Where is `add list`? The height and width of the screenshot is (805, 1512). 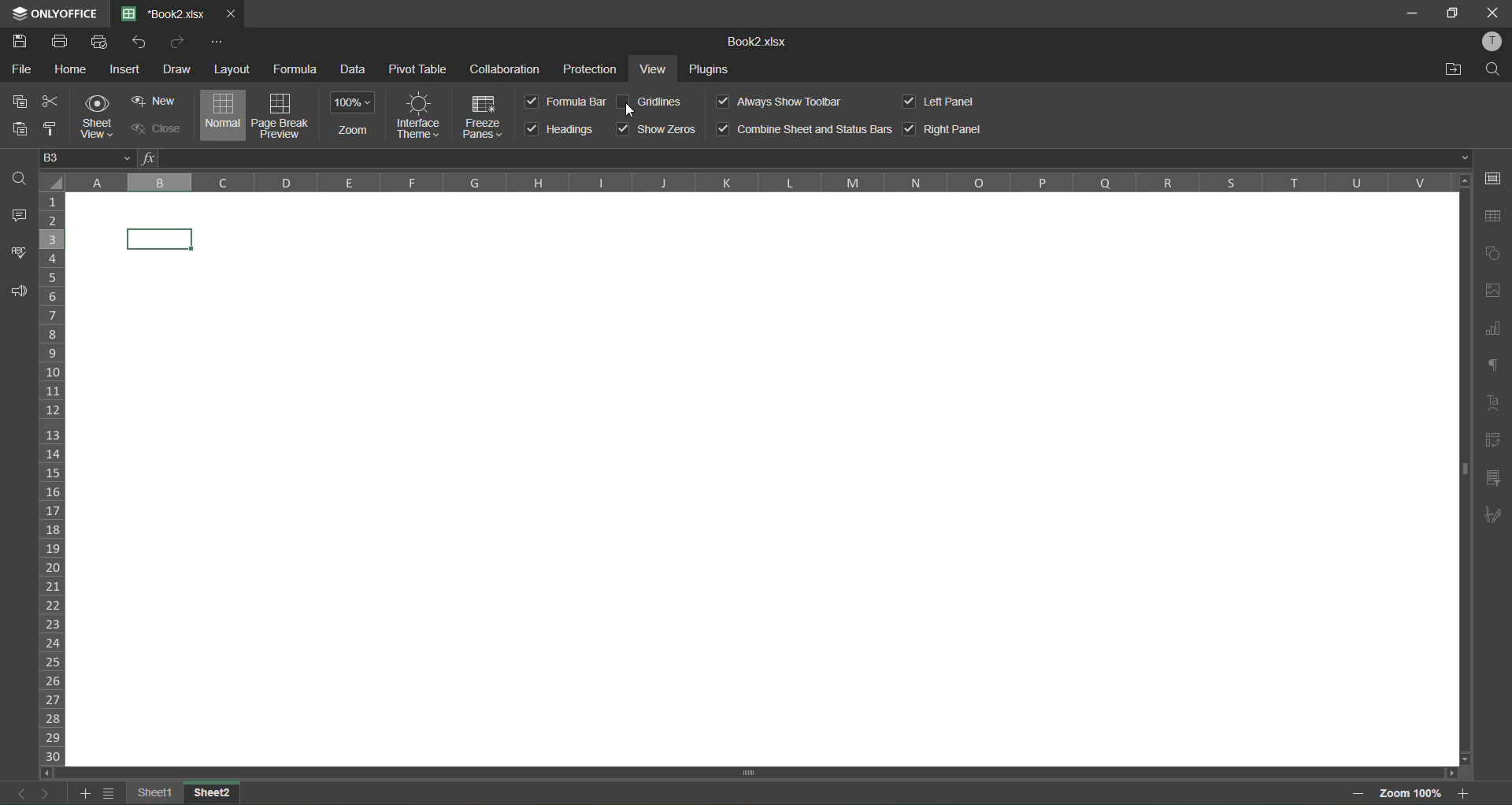
add list is located at coordinates (86, 796).